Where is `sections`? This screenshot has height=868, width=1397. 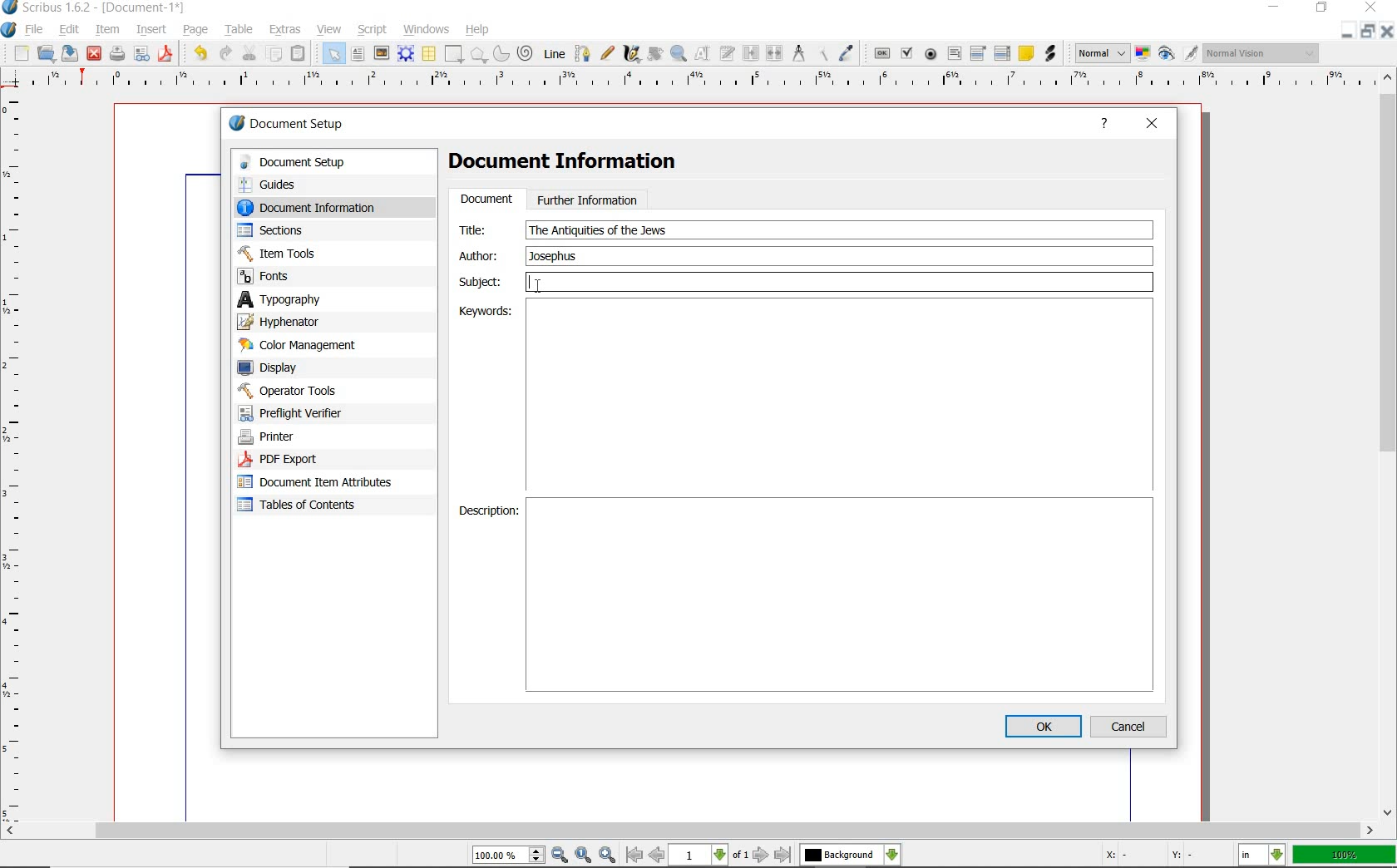 sections is located at coordinates (307, 230).